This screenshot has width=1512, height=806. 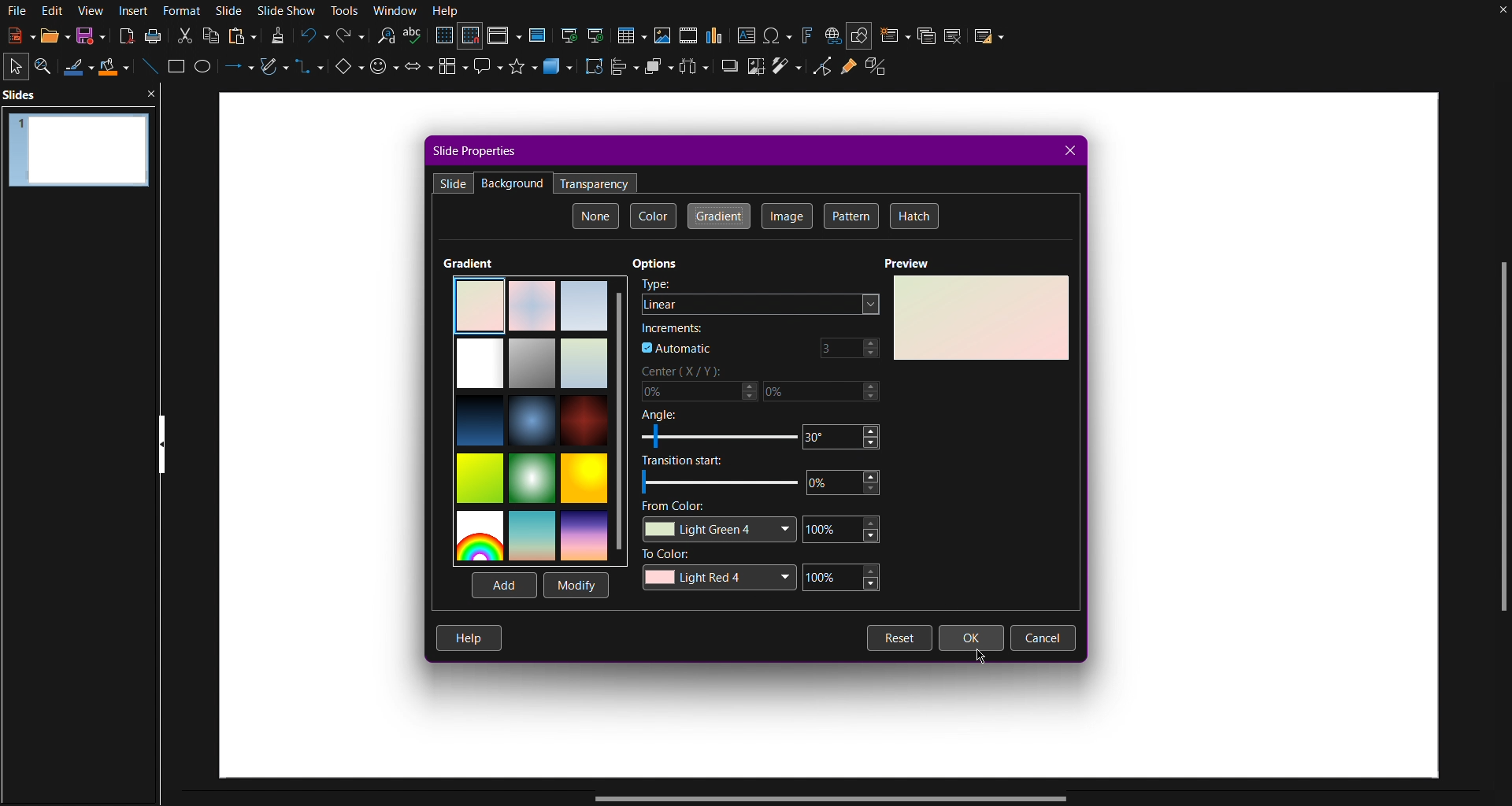 What do you see at coordinates (539, 35) in the screenshot?
I see `Master Slide` at bounding box center [539, 35].